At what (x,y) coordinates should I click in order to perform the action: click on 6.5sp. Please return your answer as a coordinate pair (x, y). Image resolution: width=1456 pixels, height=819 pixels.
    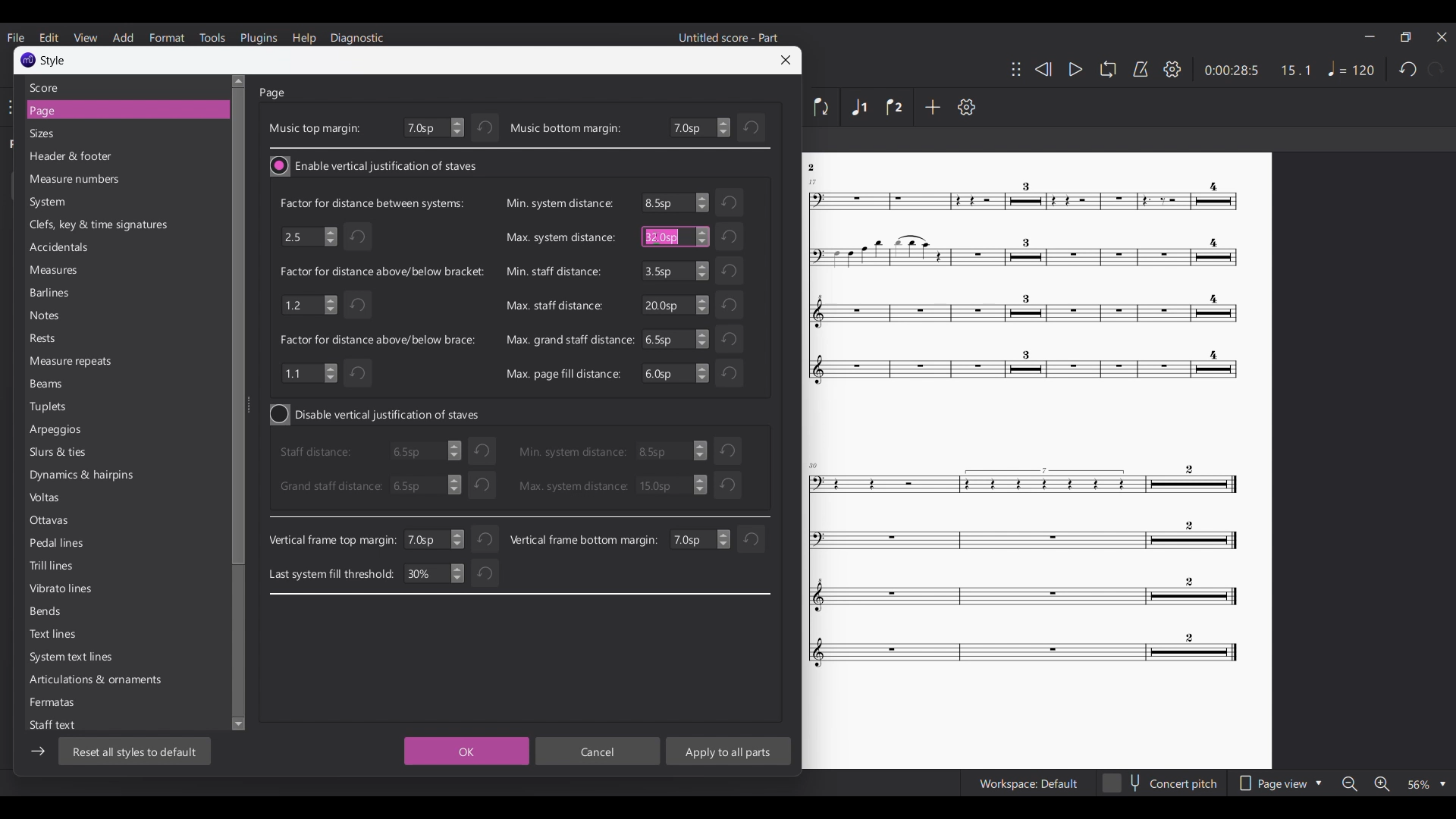
    Looking at the image, I should click on (421, 453).